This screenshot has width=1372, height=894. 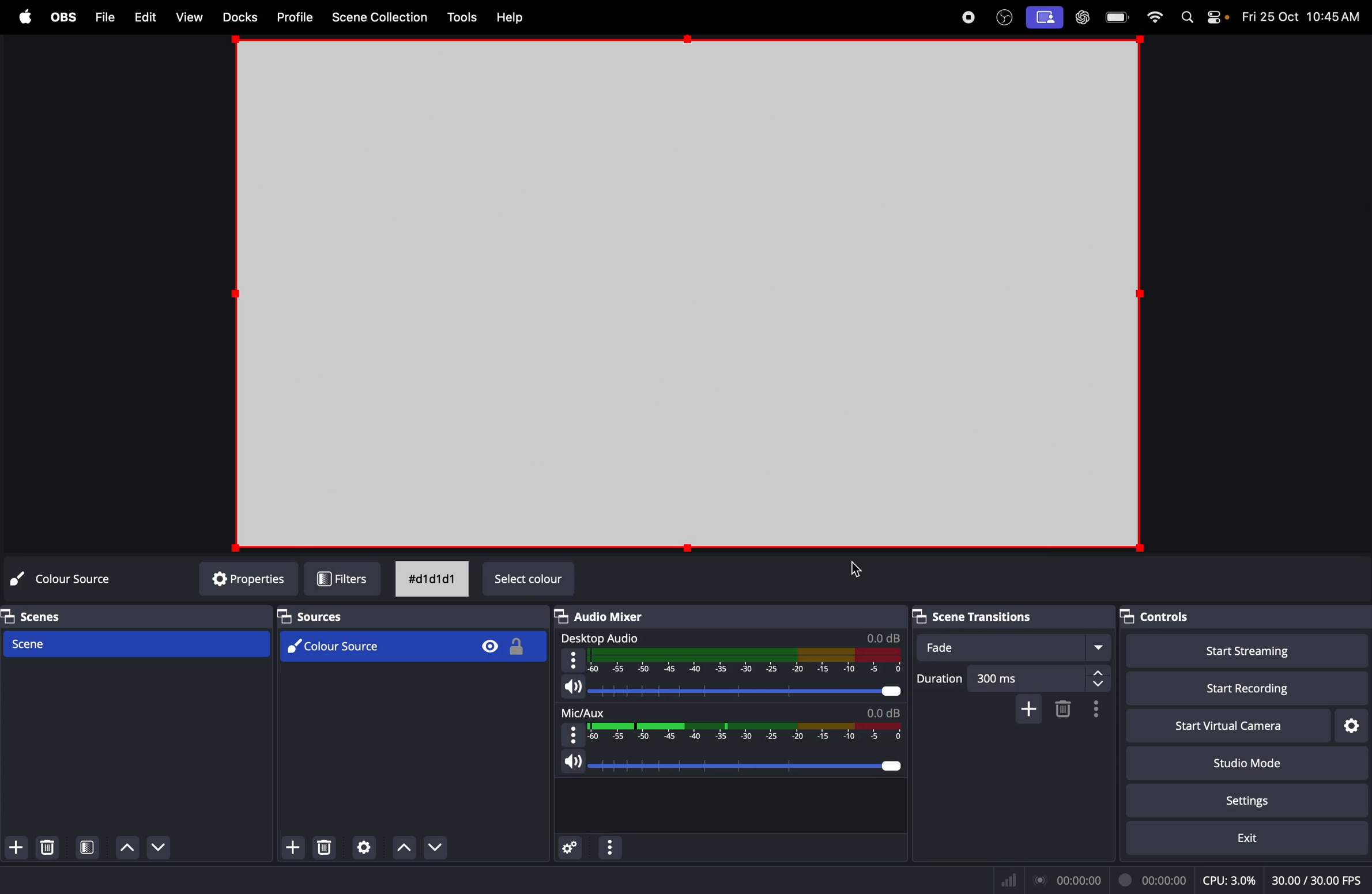 What do you see at coordinates (18, 848) in the screenshot?
I see `add scene` at bounding box center [18, 848].